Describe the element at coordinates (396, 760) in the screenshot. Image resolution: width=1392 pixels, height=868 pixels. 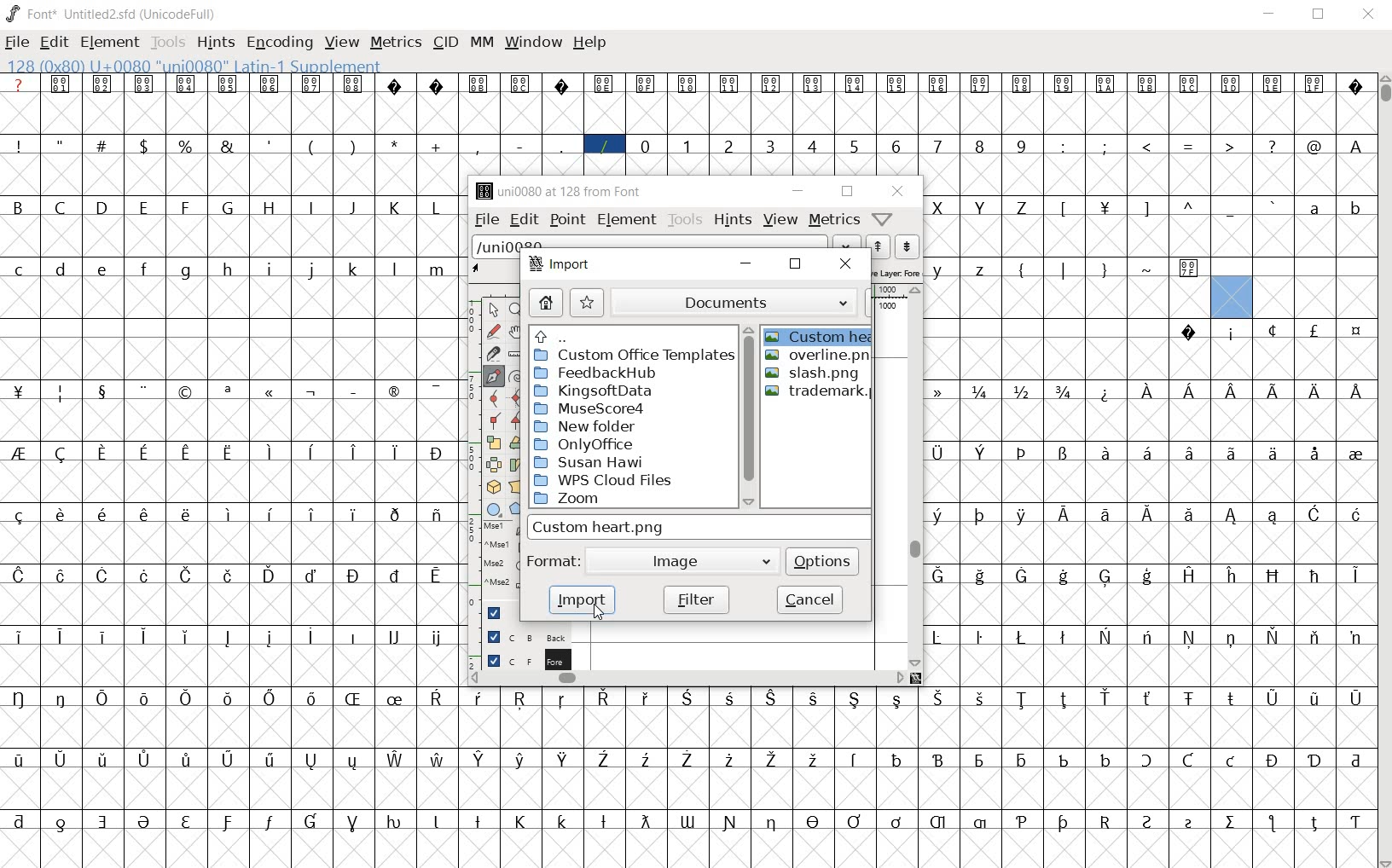
I see `glyph` at that location.